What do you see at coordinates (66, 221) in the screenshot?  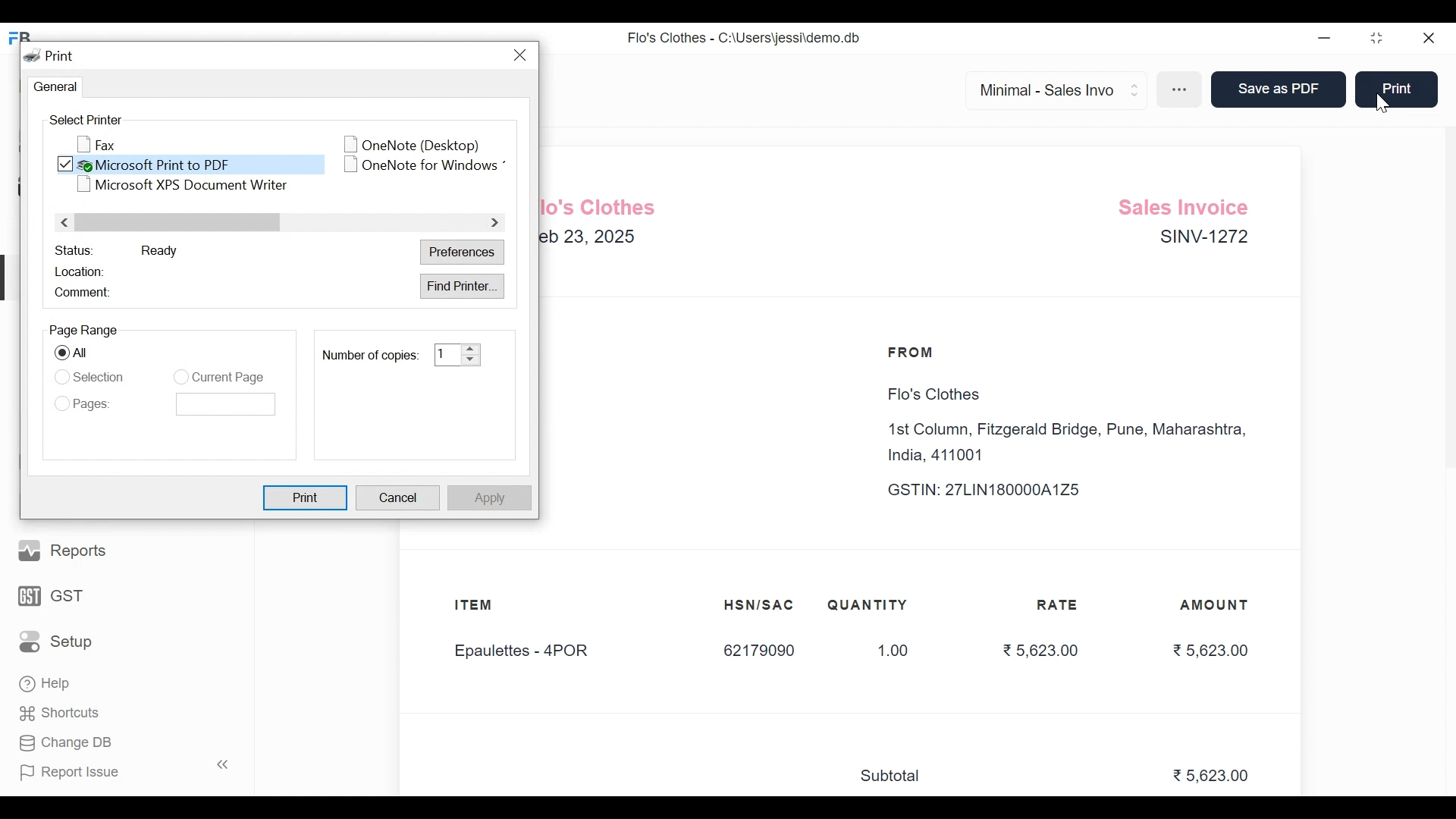 I see `Scroll left` at bounding box center [66, 221].